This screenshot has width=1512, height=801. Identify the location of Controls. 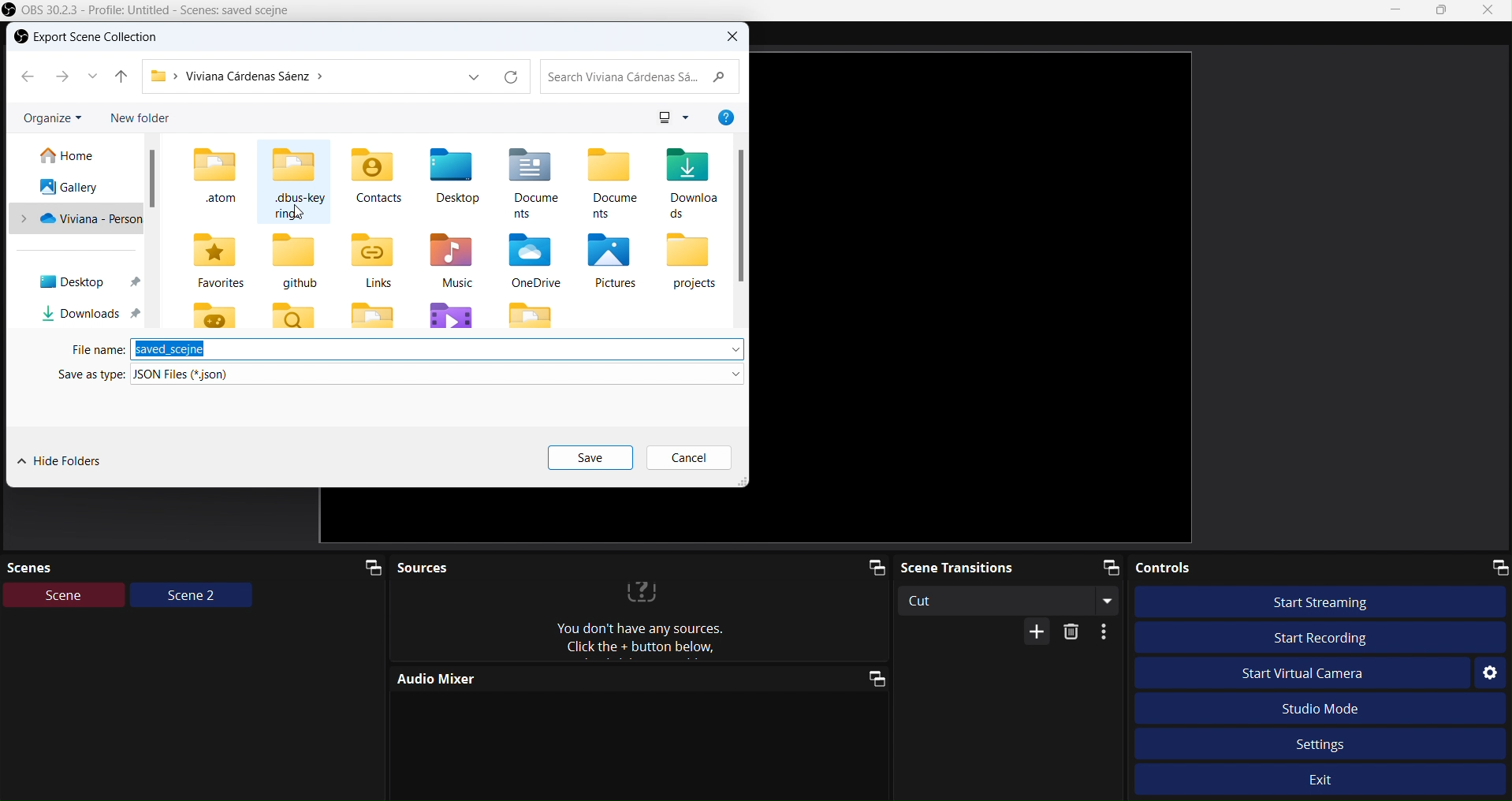
(1322, 568).